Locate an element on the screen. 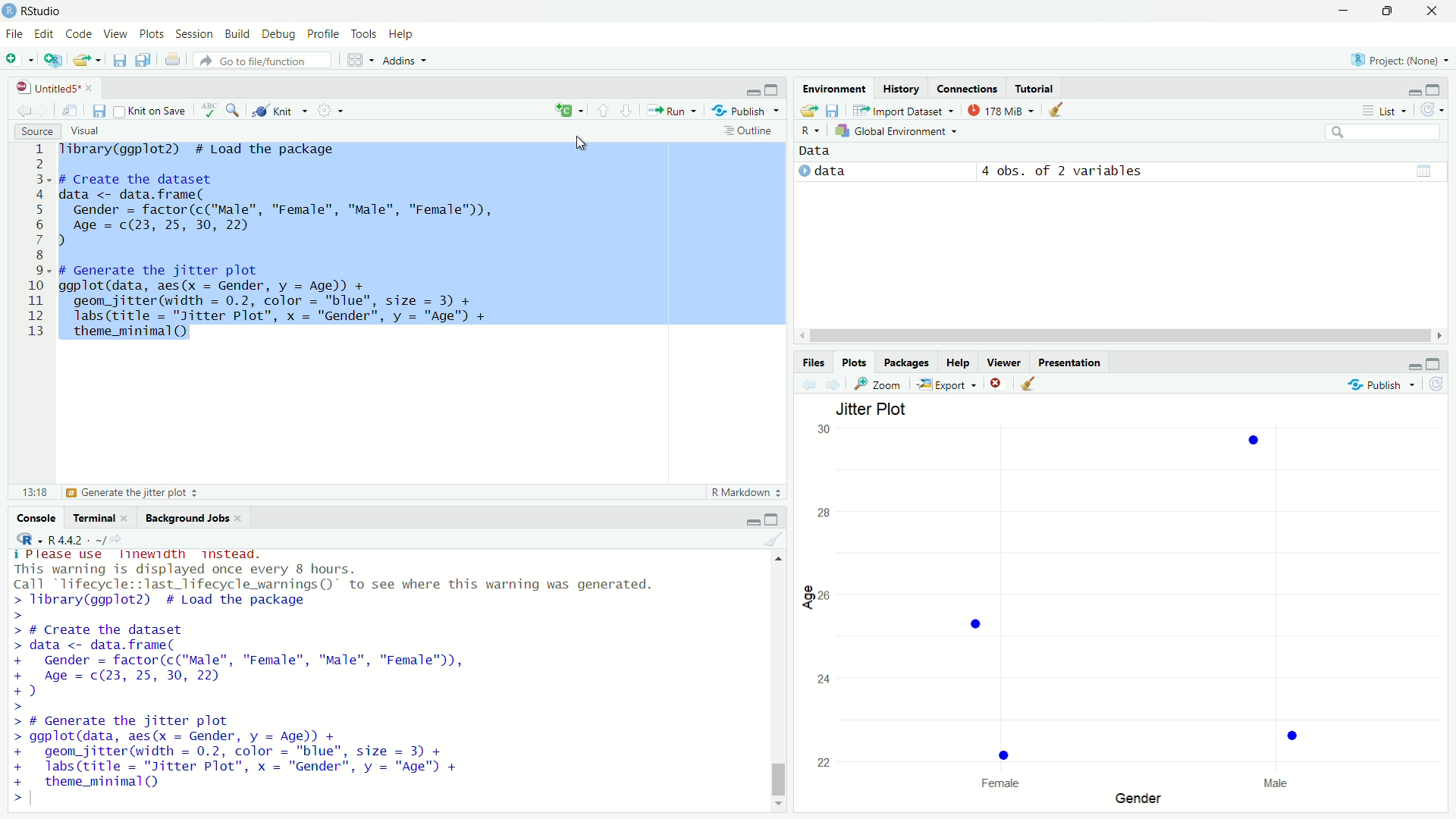 The width and height of the screenshot is (1456, 819). debug is located at coordinates (280, 32).